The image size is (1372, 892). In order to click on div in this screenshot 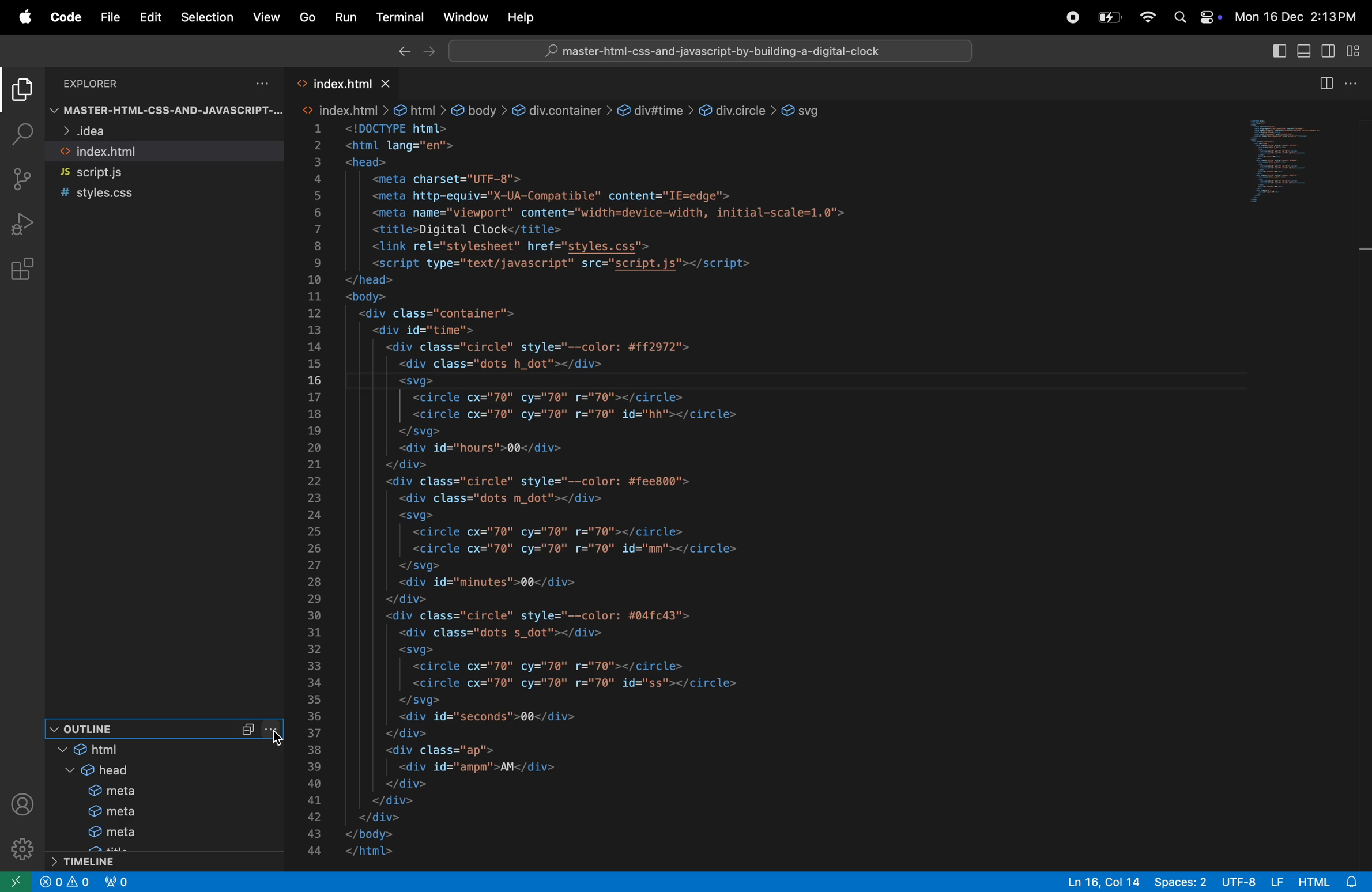, I will do `click(738, 112)`.